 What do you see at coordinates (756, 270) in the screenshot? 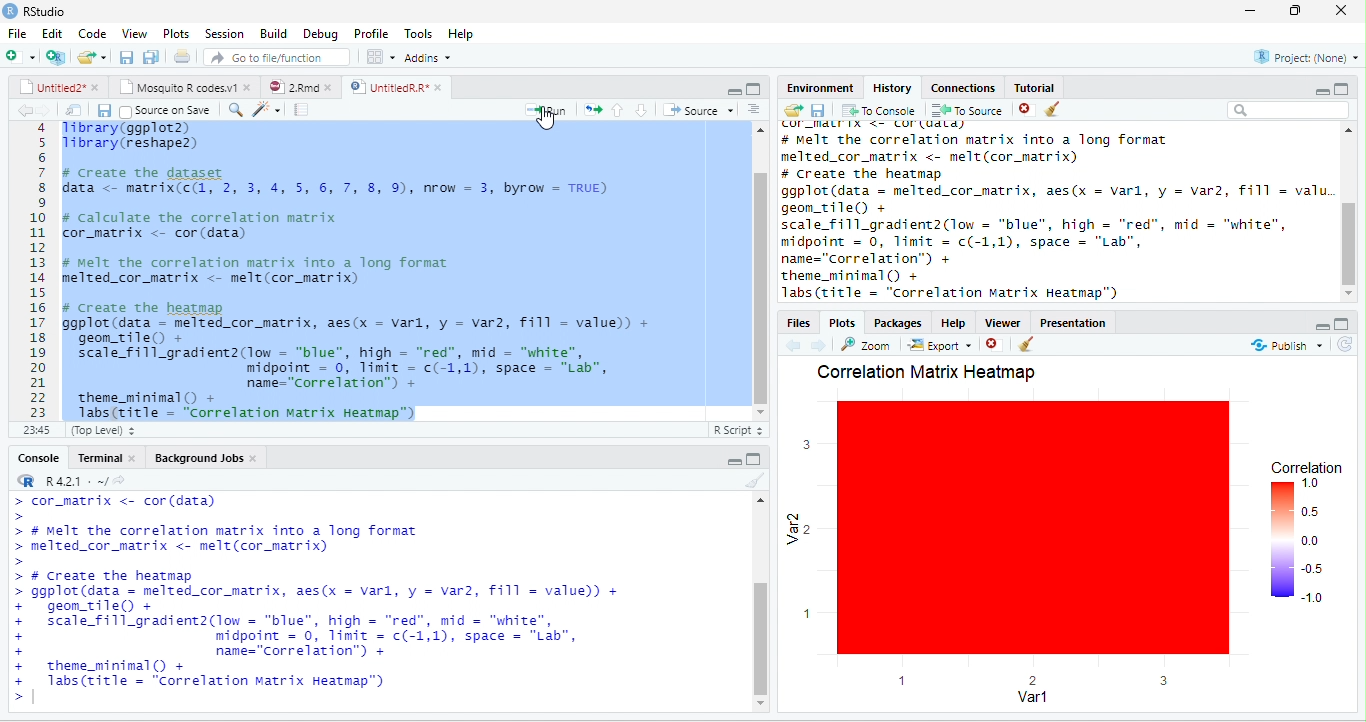
I see `slidebar` at bounding box center [756, 270].